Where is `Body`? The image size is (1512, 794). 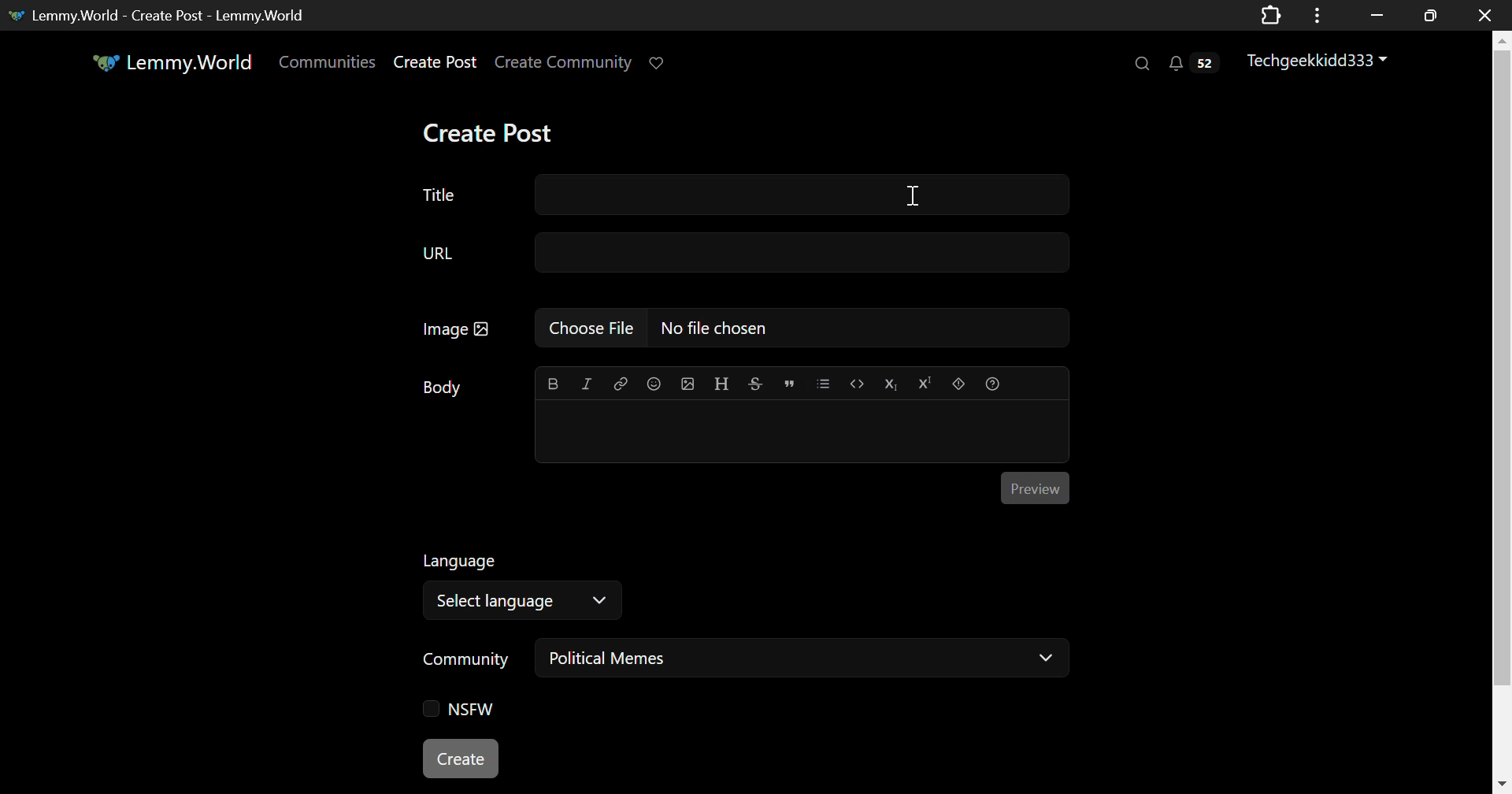 Body is located at coordinates (441, 386).